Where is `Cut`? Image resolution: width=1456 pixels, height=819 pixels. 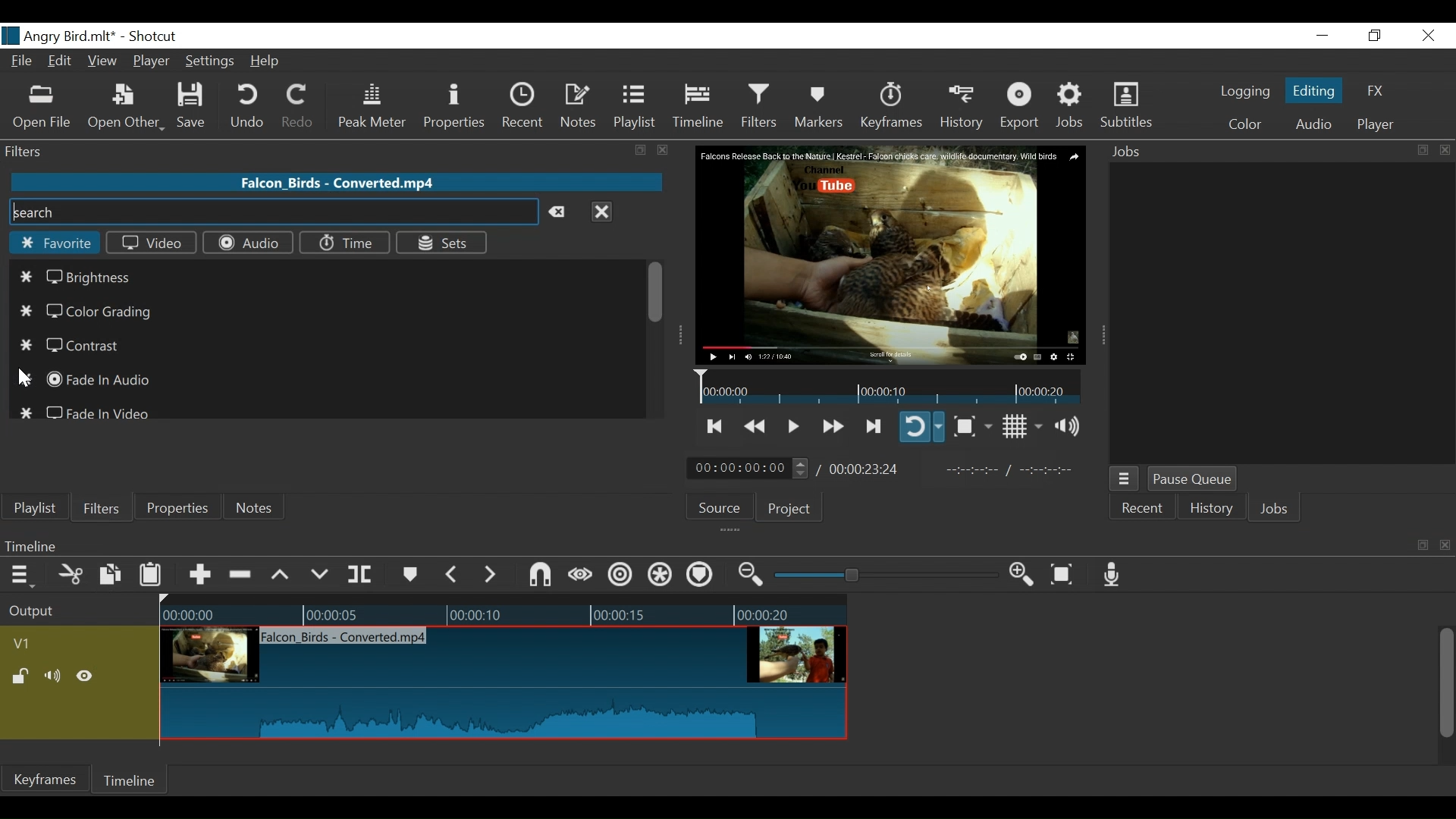 Cut is located at coordinates (71, 576).